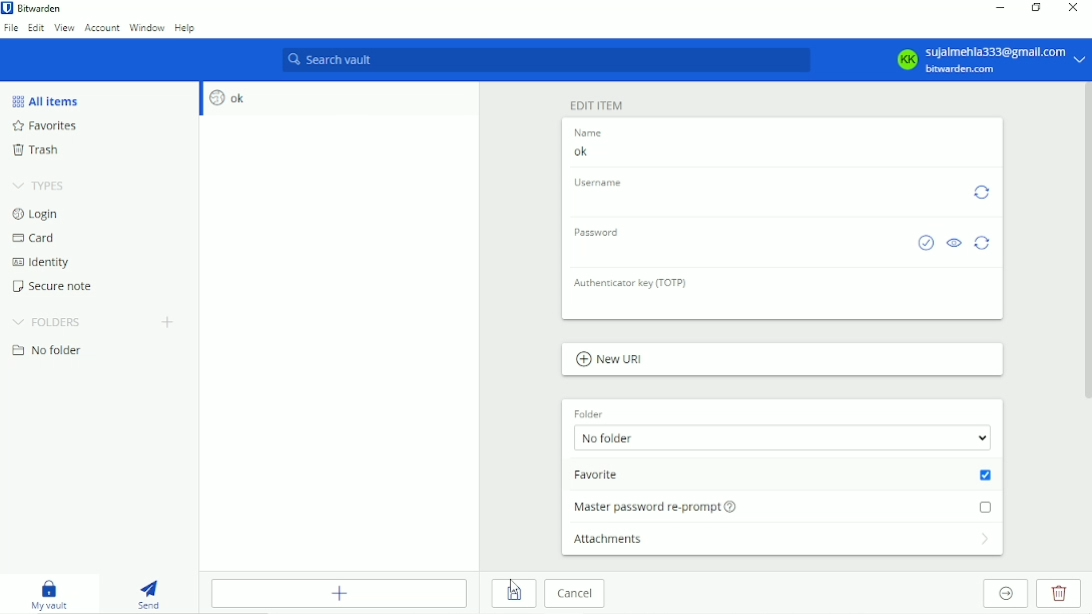  I want to click on Move to organization, so click(1005, 594).